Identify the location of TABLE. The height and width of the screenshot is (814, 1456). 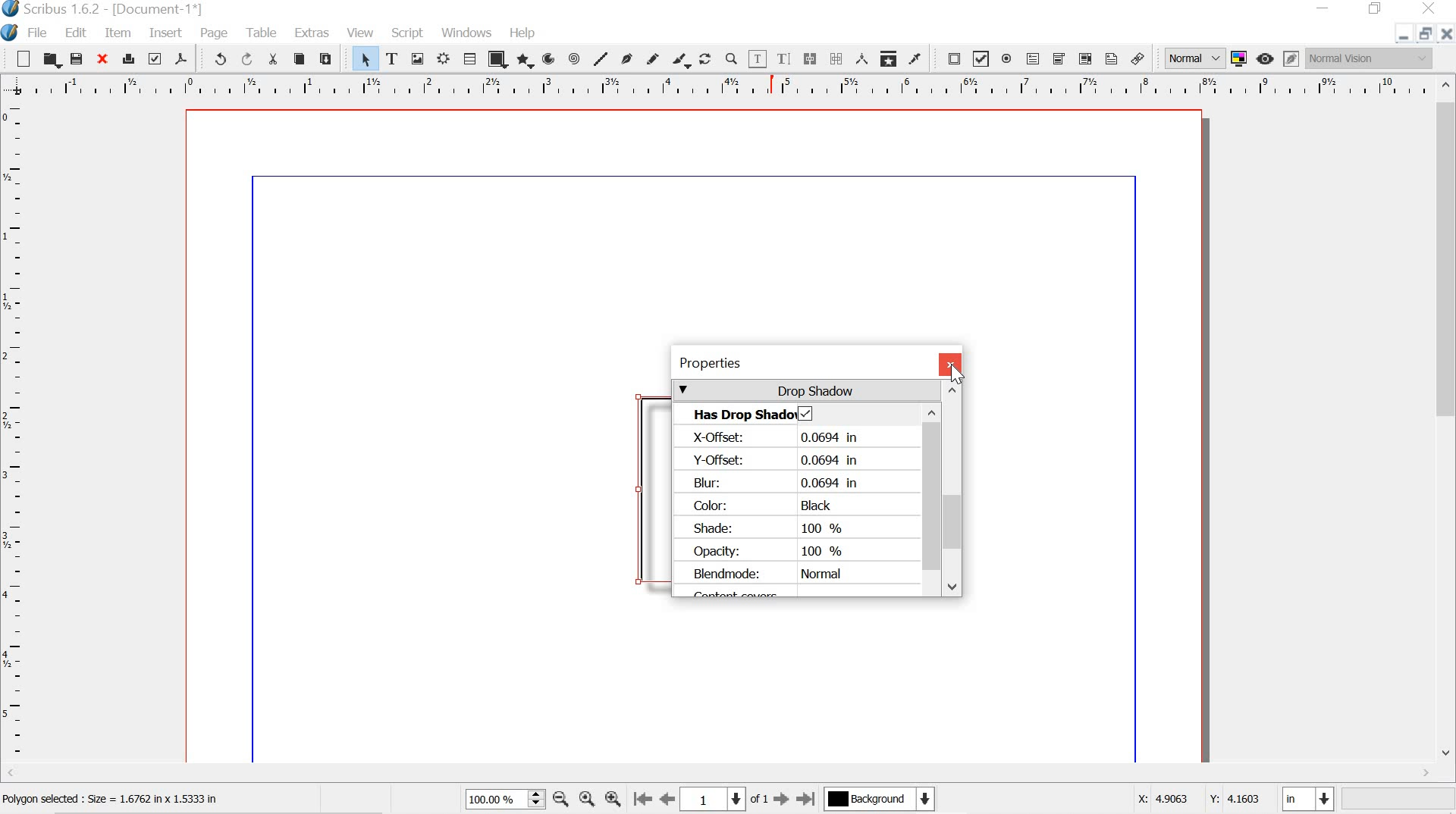
(260, 31).